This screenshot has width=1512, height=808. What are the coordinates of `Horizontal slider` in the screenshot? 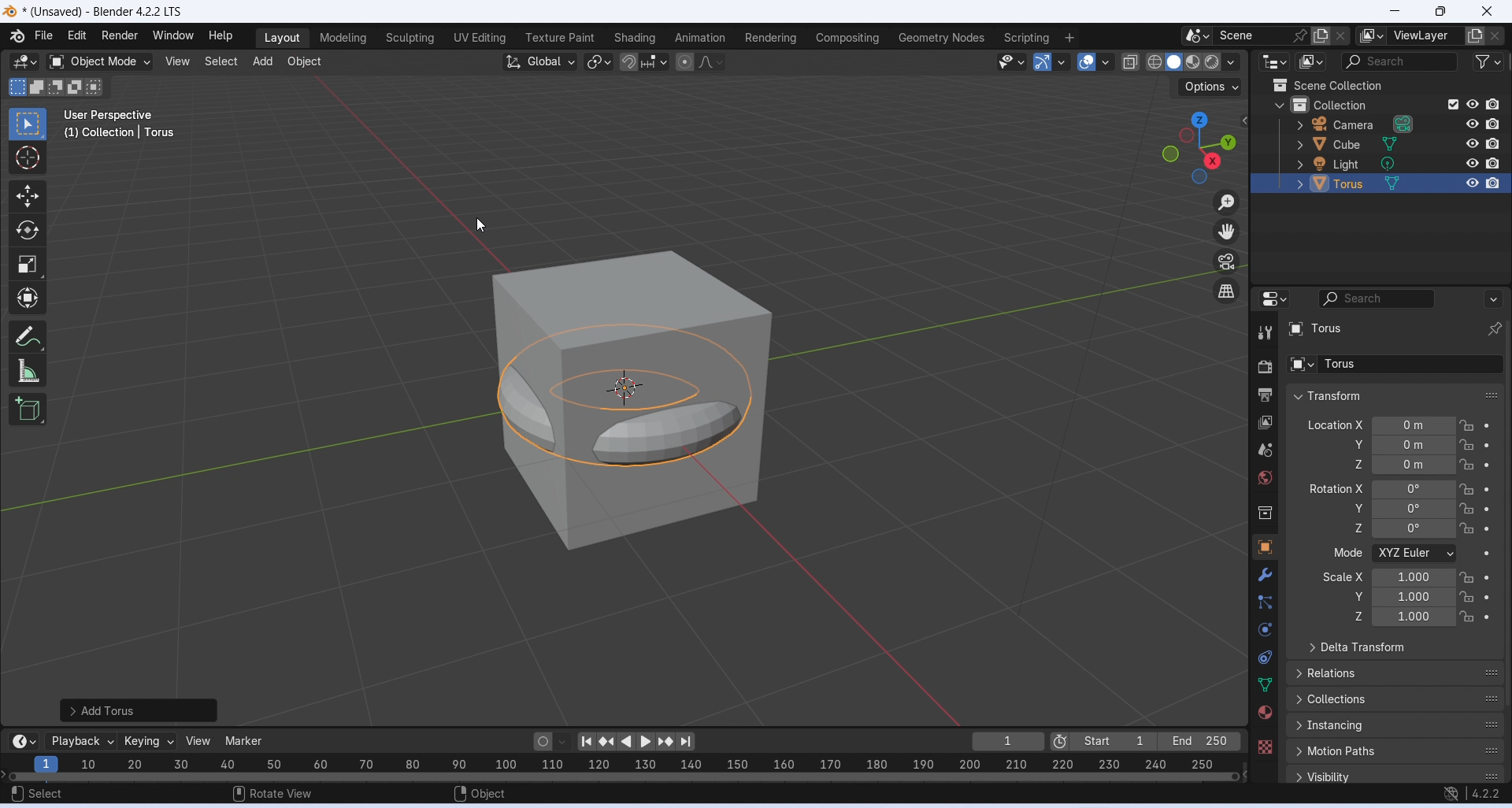 It's located at (626, 776).